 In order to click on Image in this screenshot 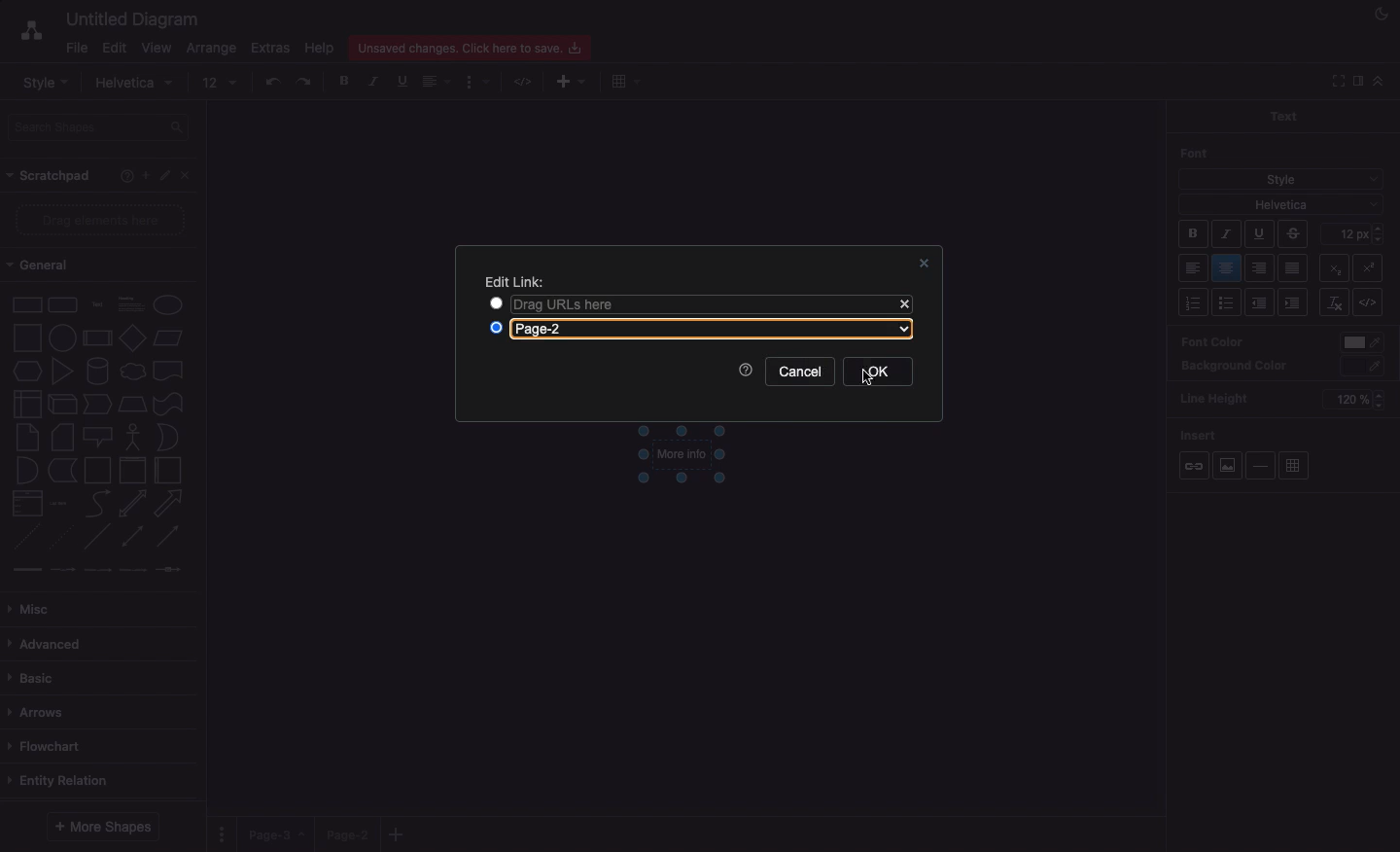, I will do `click(1226, 465)`.